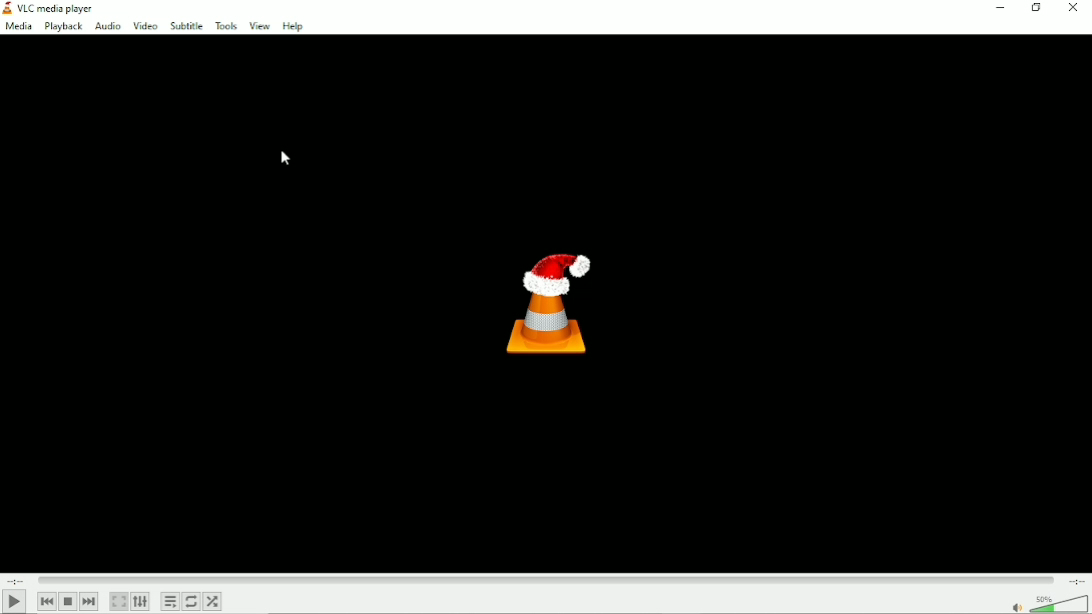 Image resolution: width=1092 pixels, height=614 pixels. Describe the element at coordinates (1001, 8) in the screenshot. I see `Minimize` at that location.